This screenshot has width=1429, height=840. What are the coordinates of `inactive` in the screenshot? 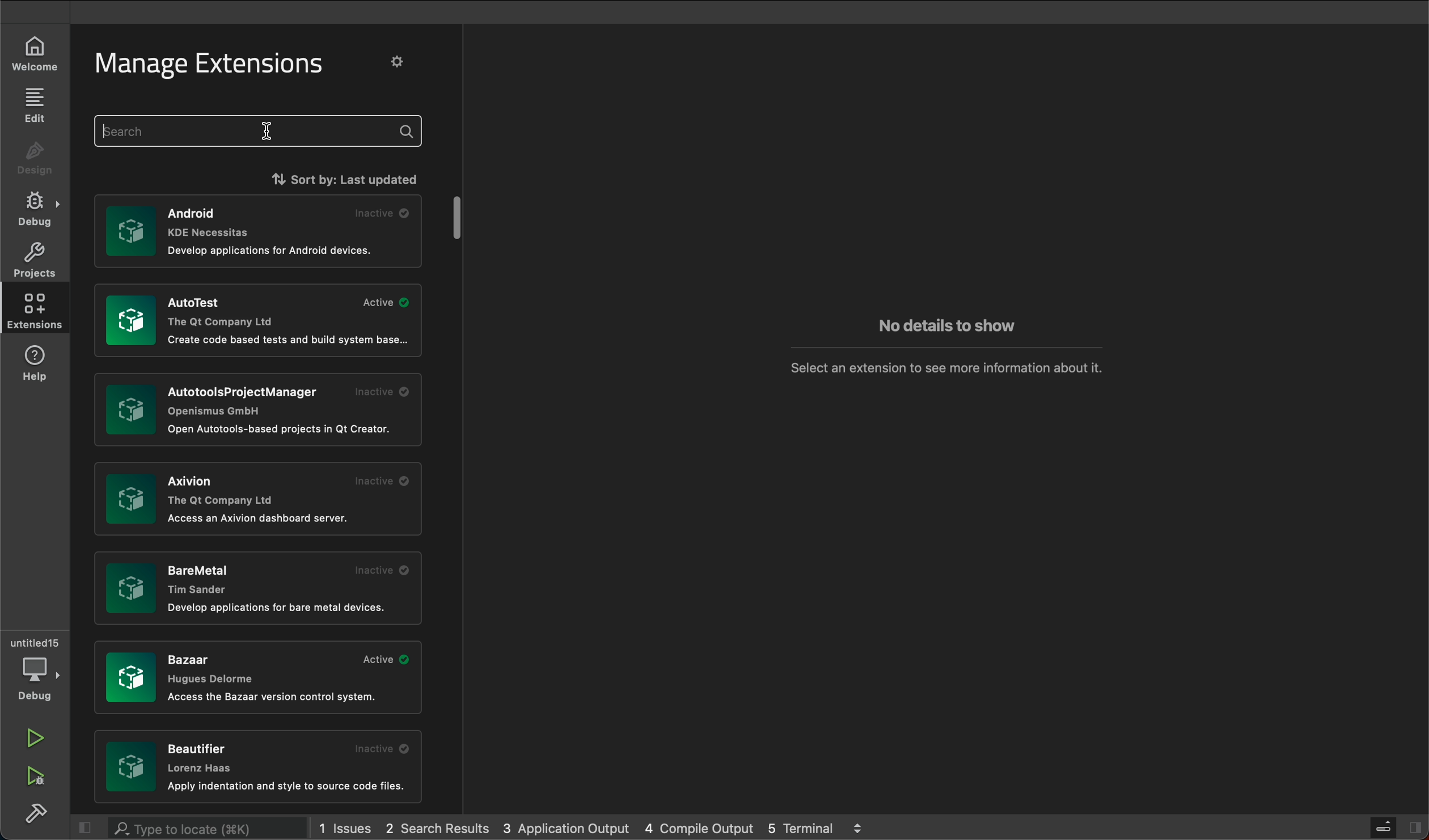 It's located at (380, 480).